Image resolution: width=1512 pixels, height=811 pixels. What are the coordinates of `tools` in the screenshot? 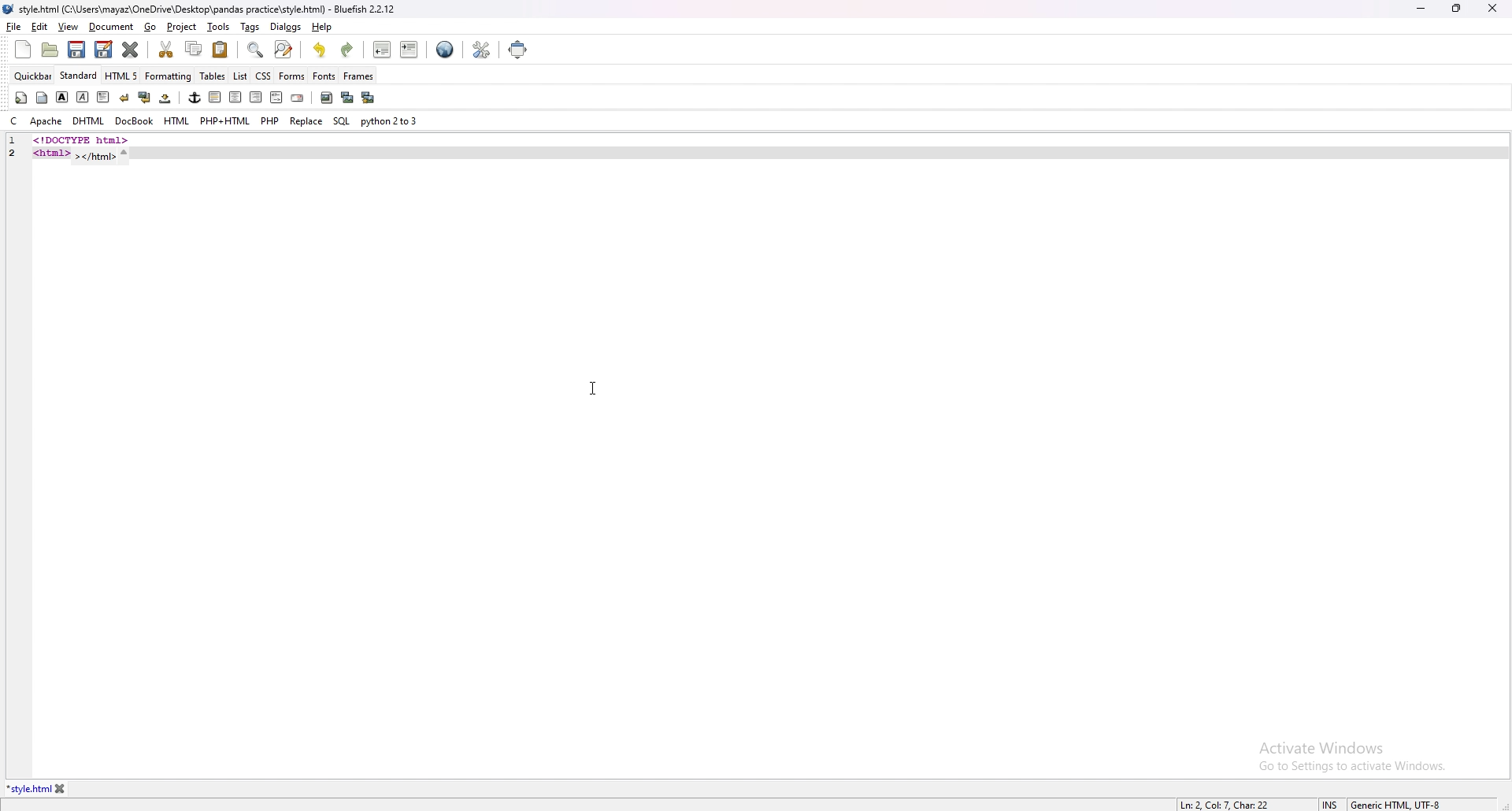 It's located at (219, 27).